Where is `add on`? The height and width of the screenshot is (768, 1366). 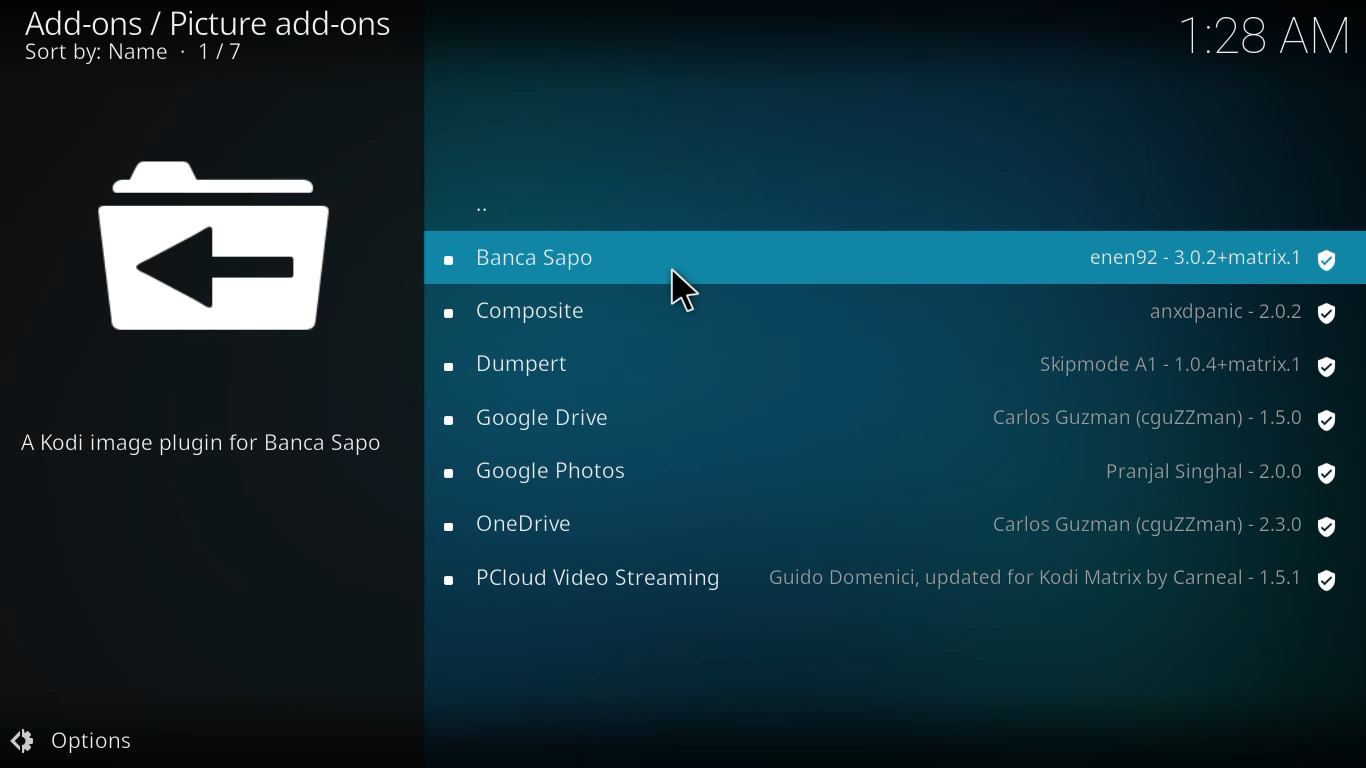
add on is located at coordinates (224, 257).